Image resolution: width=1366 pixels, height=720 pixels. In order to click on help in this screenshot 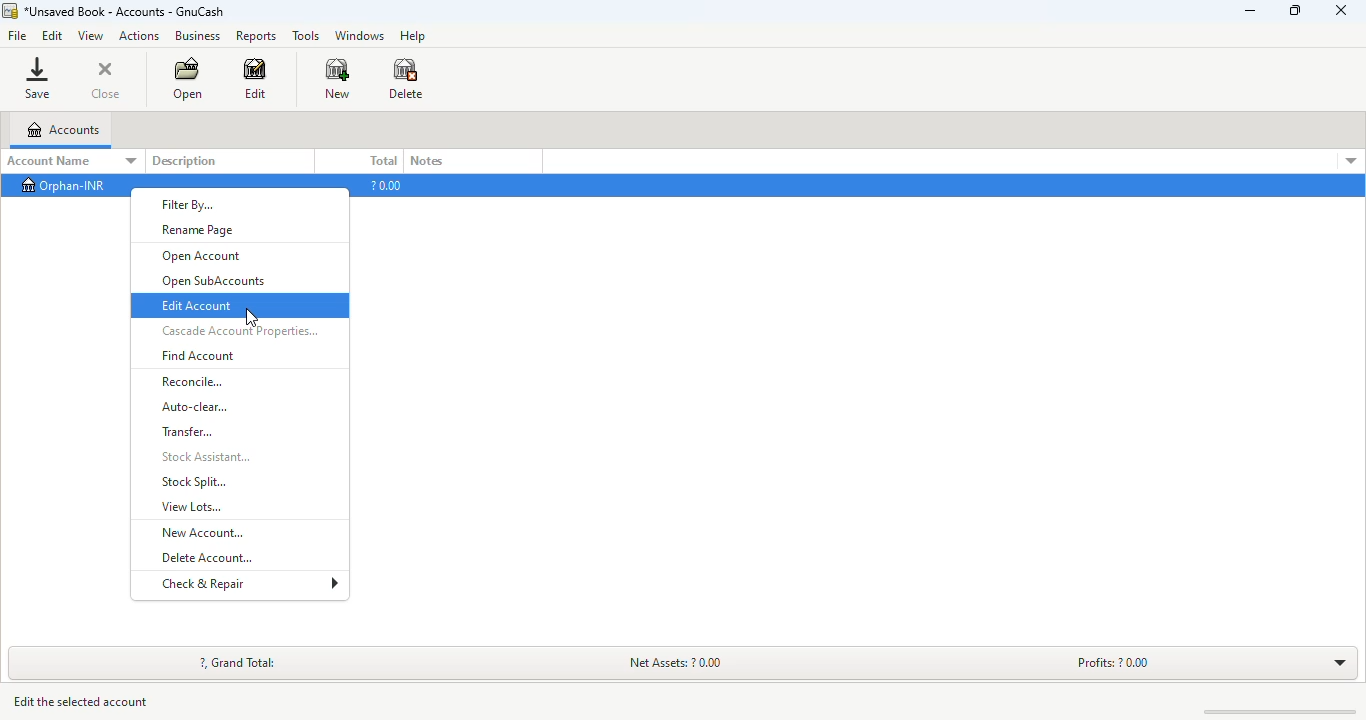, I will do `click(415, 36)`.